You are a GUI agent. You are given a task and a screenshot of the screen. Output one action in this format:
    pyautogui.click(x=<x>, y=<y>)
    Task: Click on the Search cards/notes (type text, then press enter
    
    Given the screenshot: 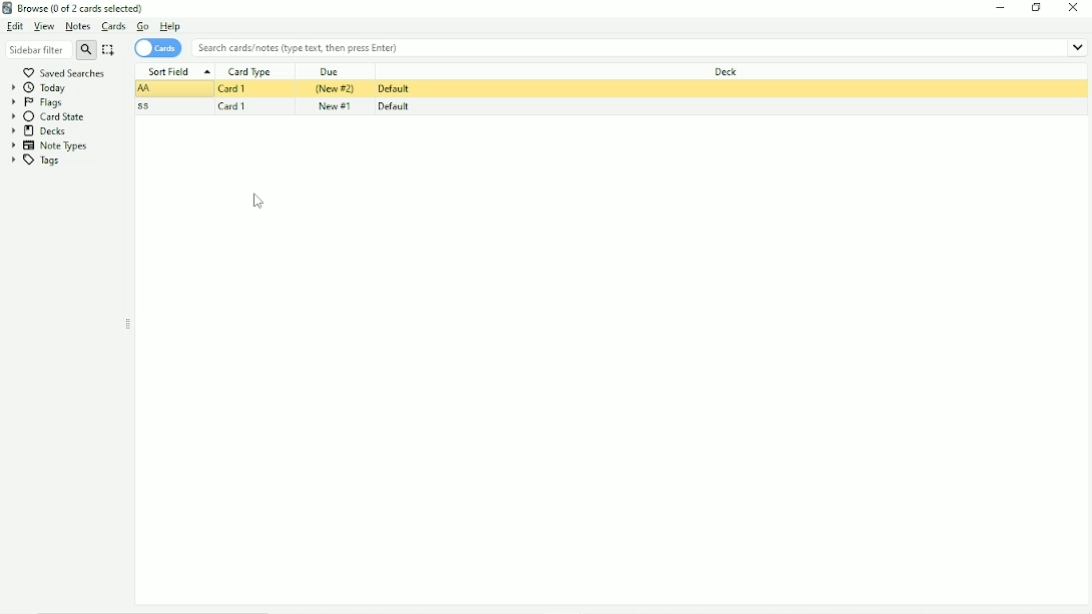 What is the action you would take?
    pyautogui.click(x=640, y=48)
    